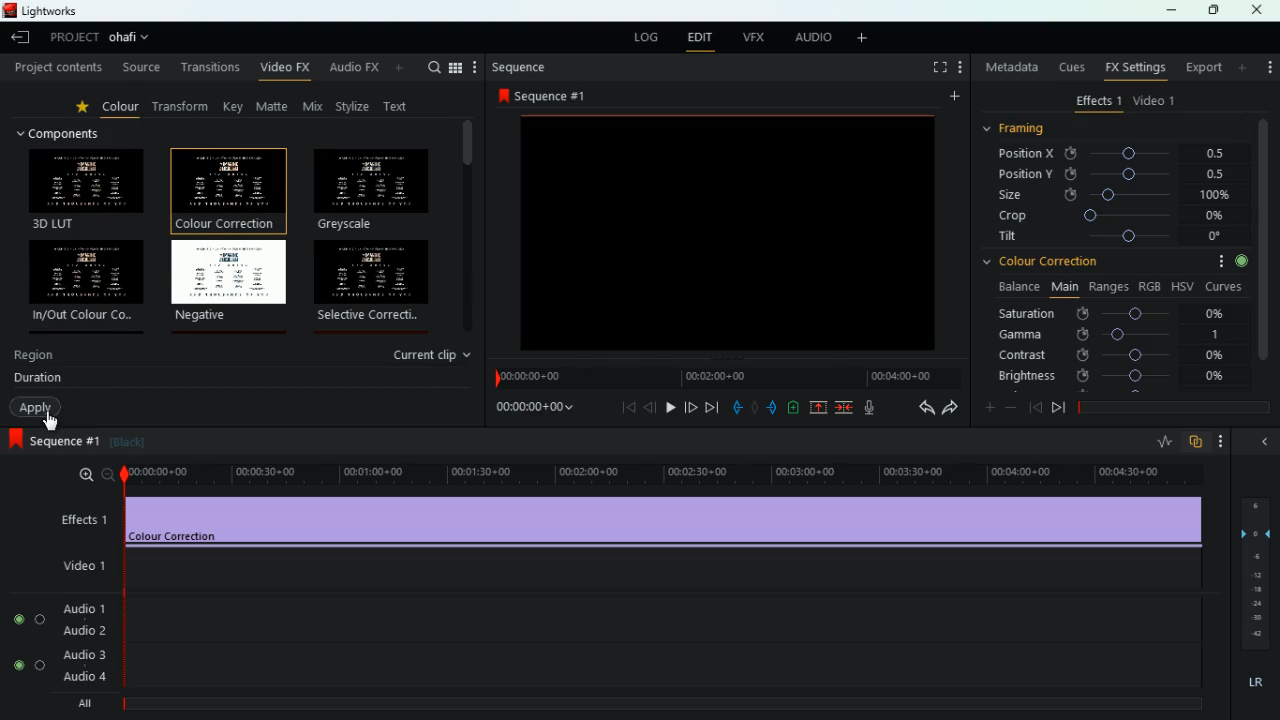 This screenshot has height=720, width=1280. Describe the element at coordinates (726, 231) in the screenshot. I see `image` at that location.